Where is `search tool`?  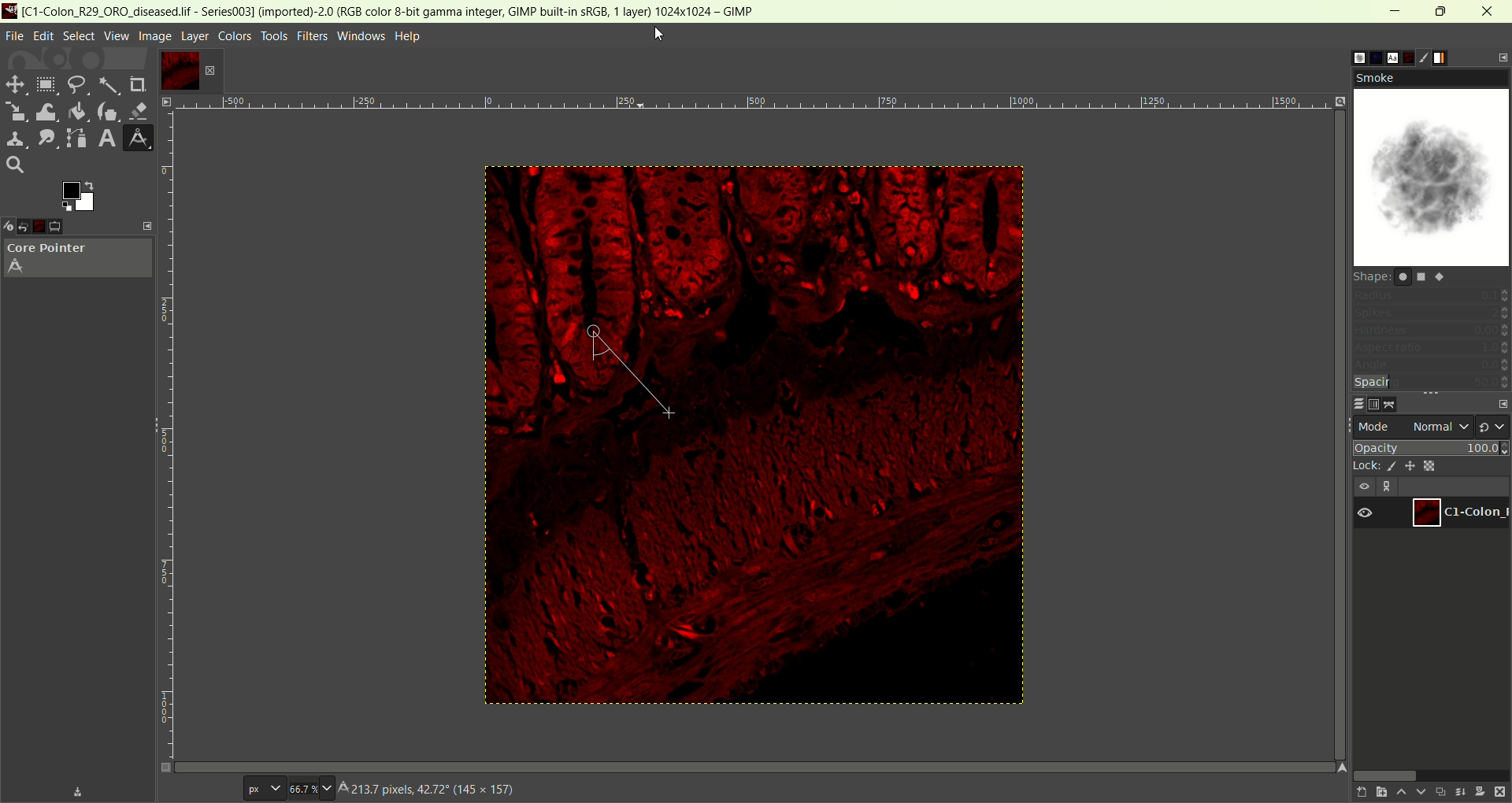
search tool is located at coordinates (15, 164).